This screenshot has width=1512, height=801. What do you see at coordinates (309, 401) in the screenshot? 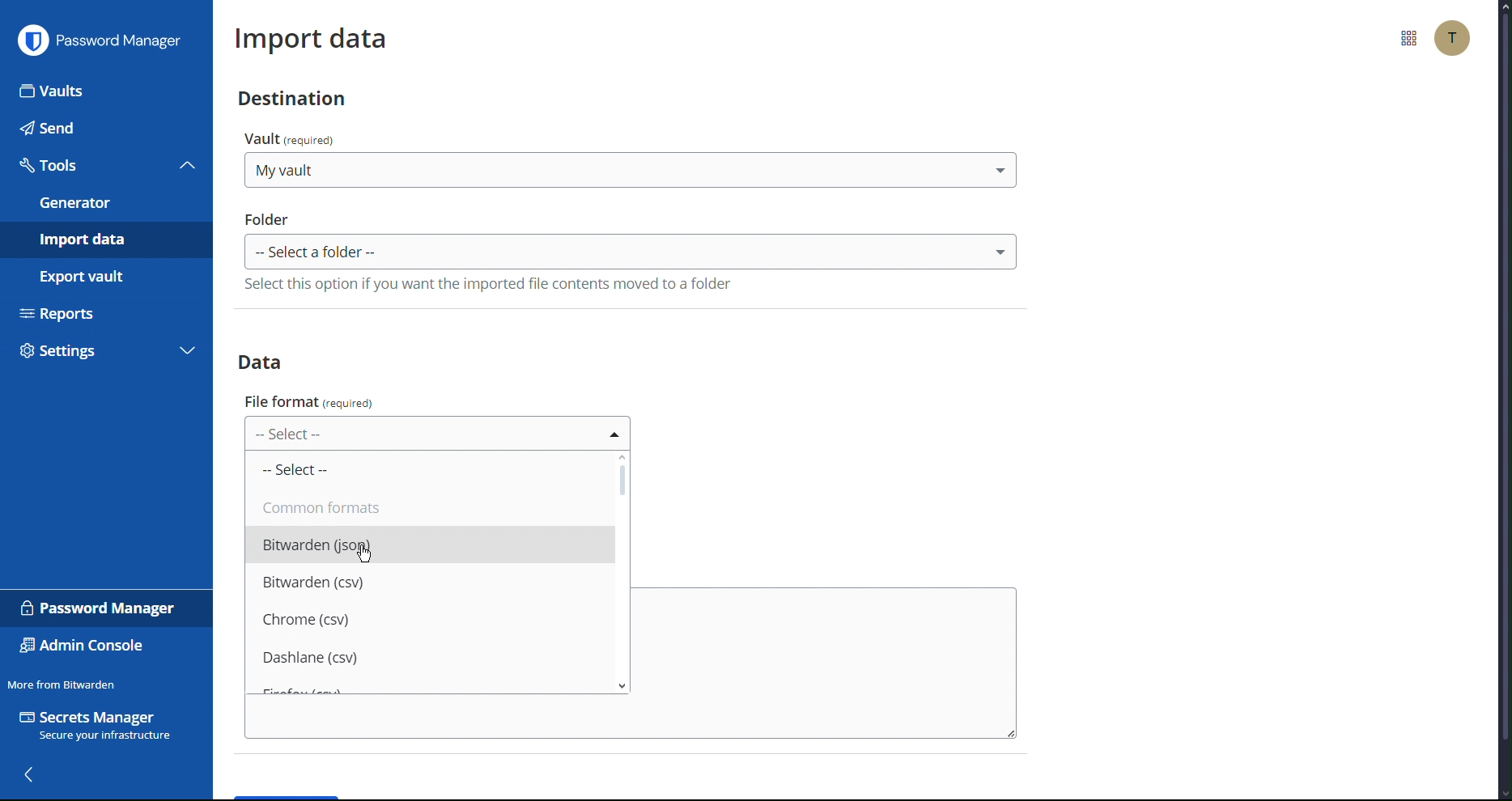
I see `file format` at bounding box center [309, 401].